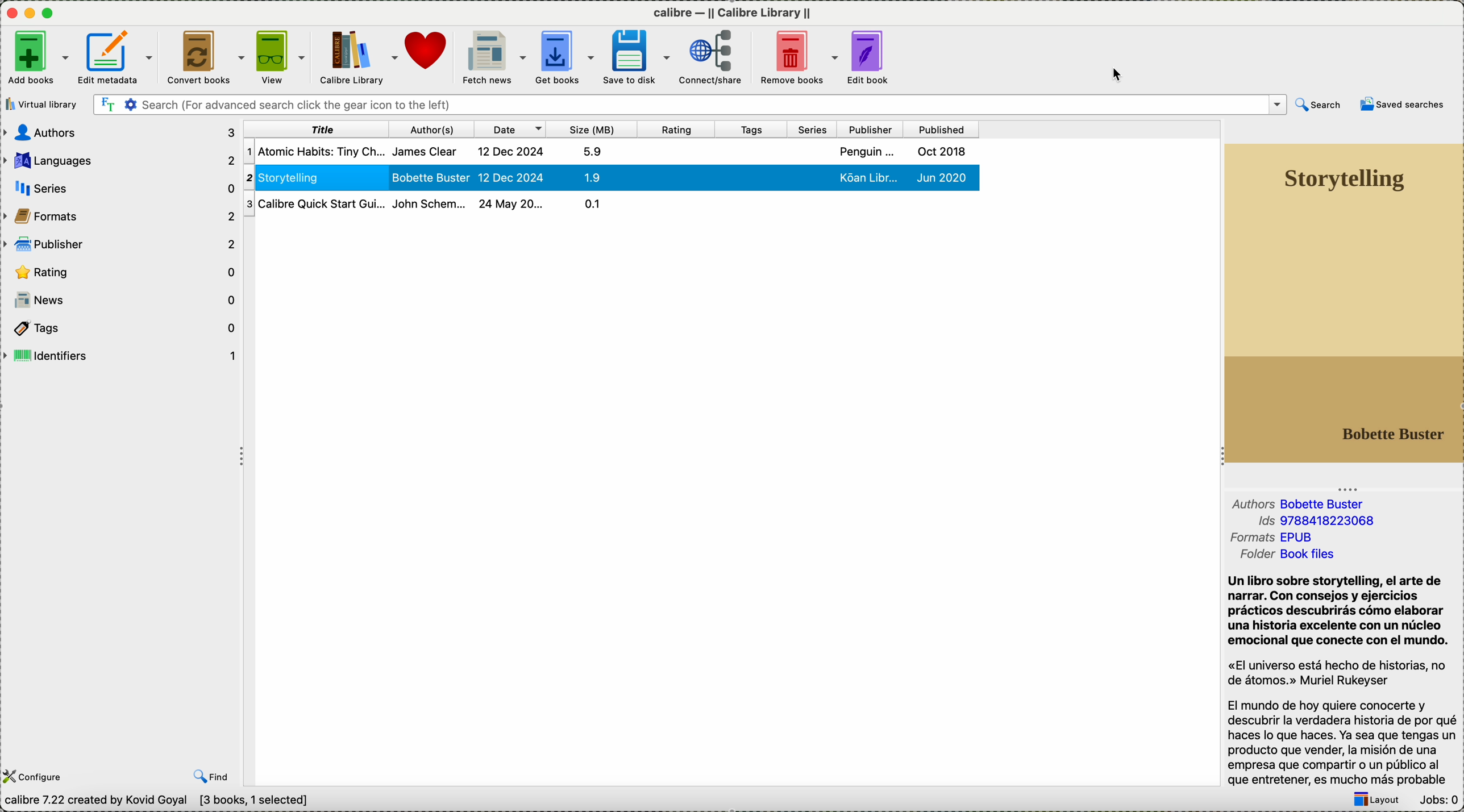  What do you see at coordinates (731, 14) in the screenshot?
I see `Calibre` at bounding box center [731, 14].